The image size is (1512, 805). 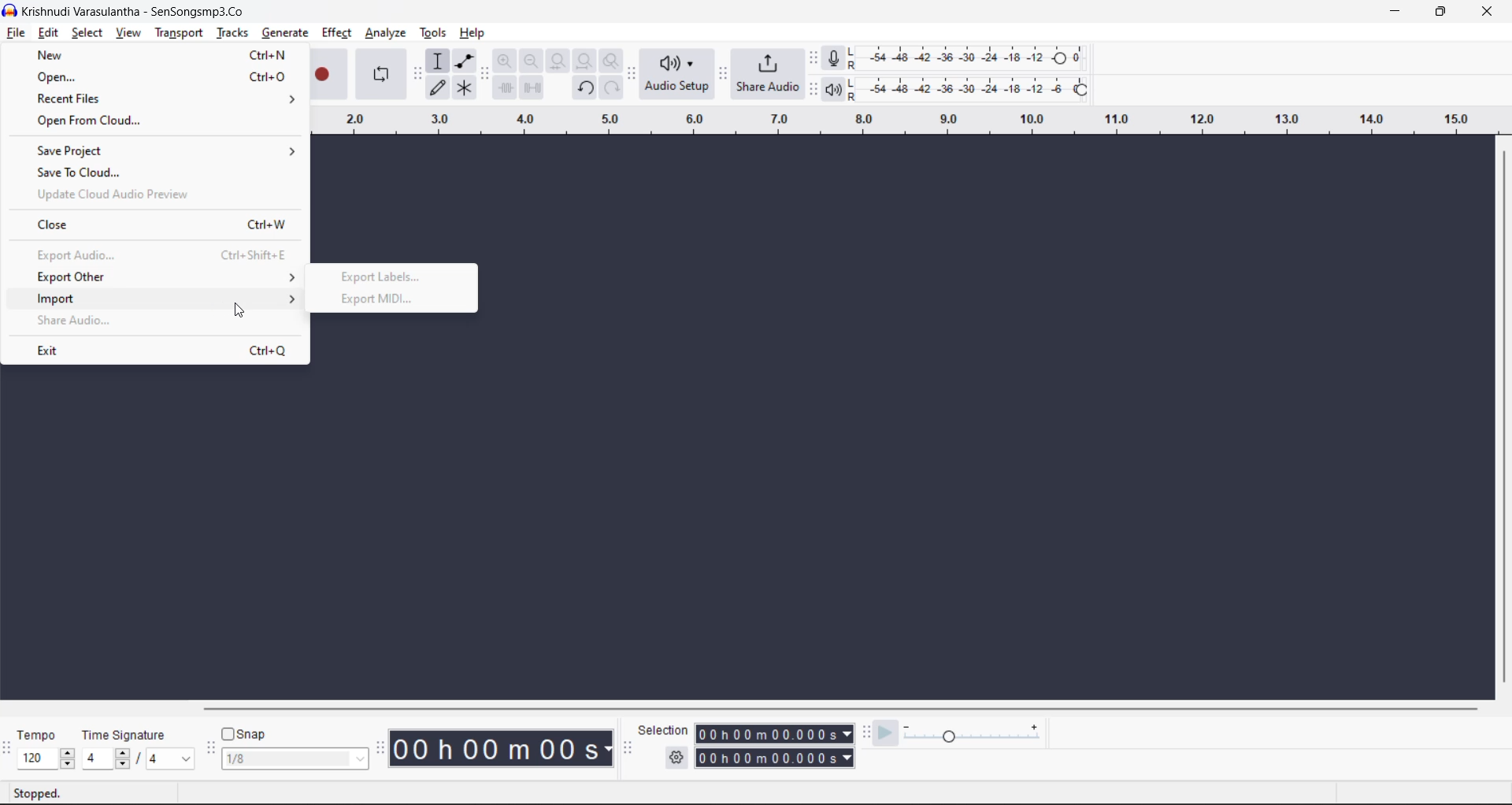 What do you see at coordinates (161, 78) in the screenshot?
I see `open` at bounding box center [161, 78].